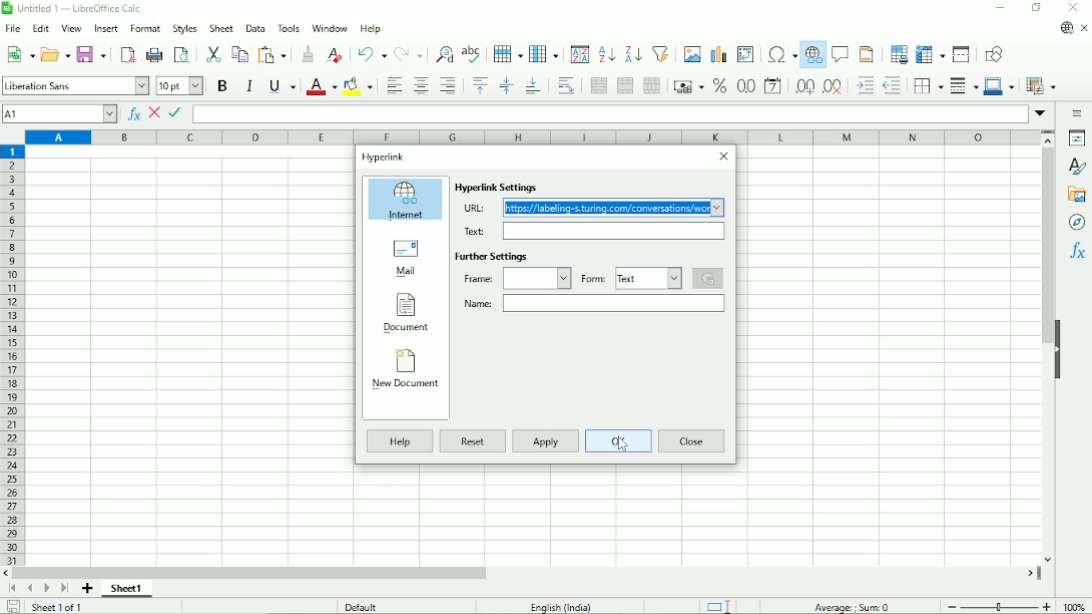 The width and height of the screenshot is (1092, 614). I want to click on Insert special characters, so click(781, 55).